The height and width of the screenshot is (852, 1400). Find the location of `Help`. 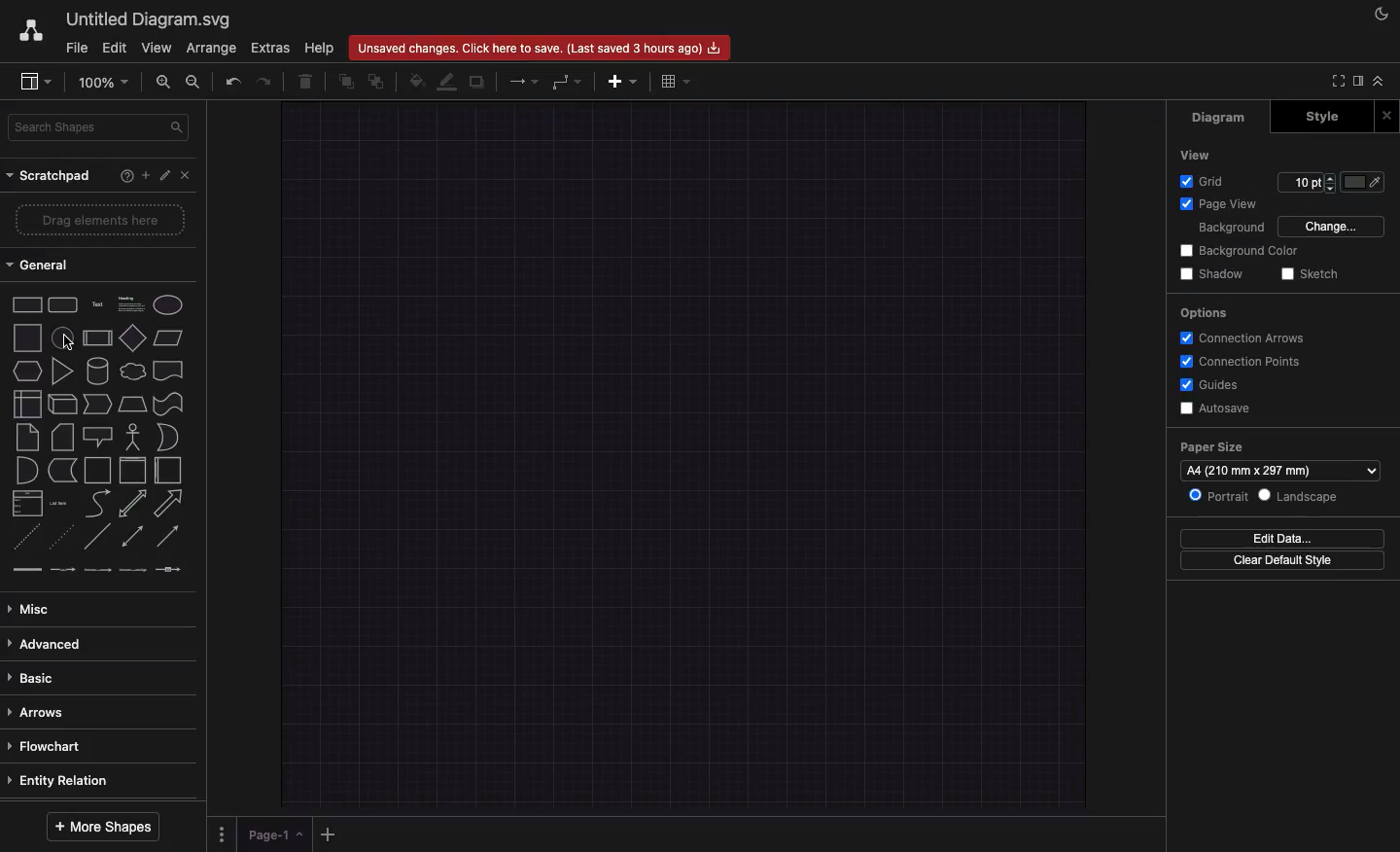

Help is located at coordinates (319, 45).